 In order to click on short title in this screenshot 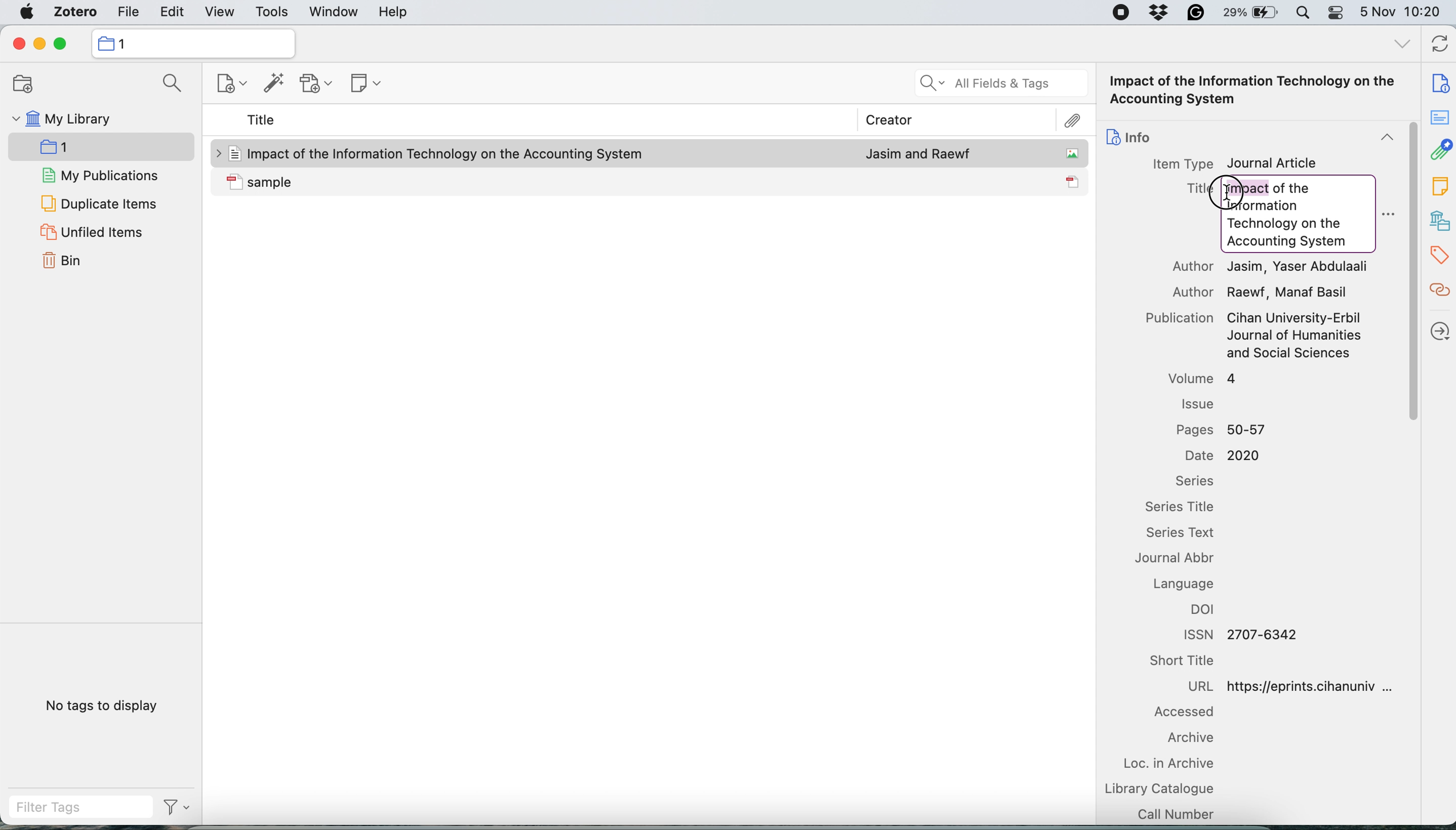, I will do `click(1185, 661)`.